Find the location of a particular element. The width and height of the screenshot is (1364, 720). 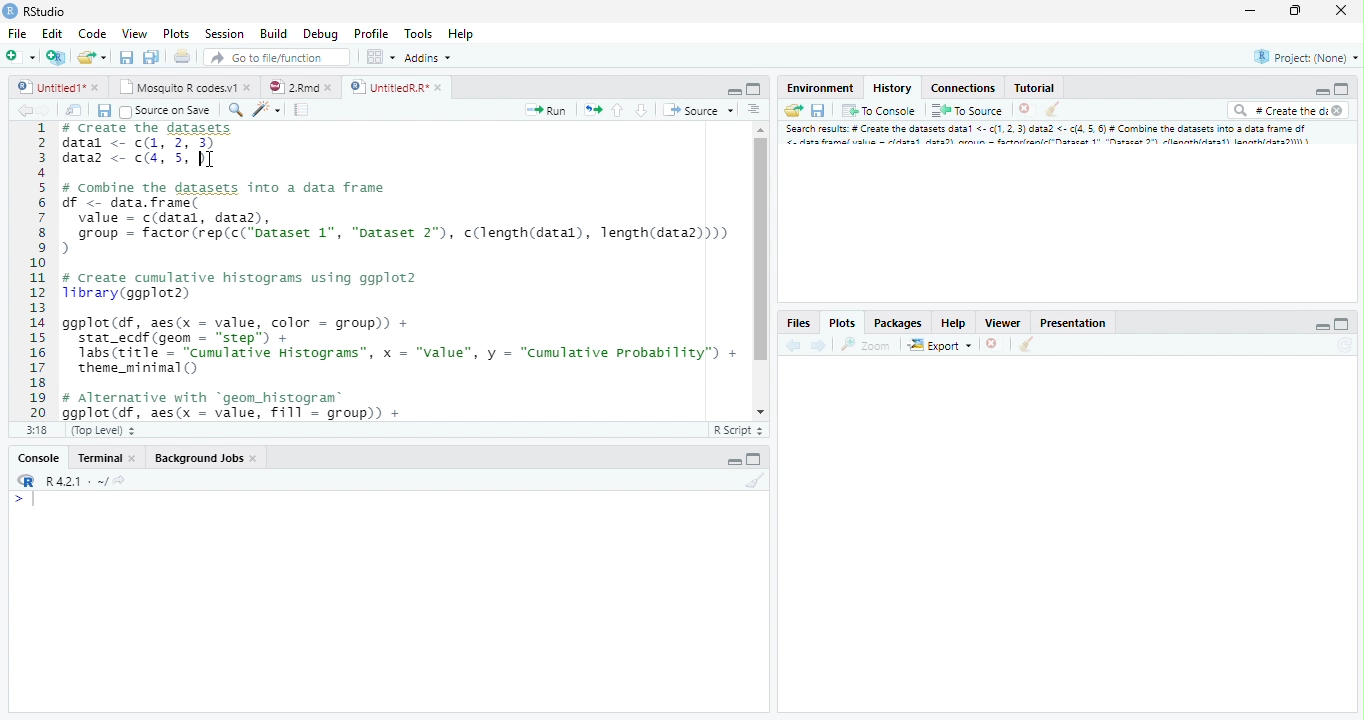

Maximize is located at coordinates (1340, 90).